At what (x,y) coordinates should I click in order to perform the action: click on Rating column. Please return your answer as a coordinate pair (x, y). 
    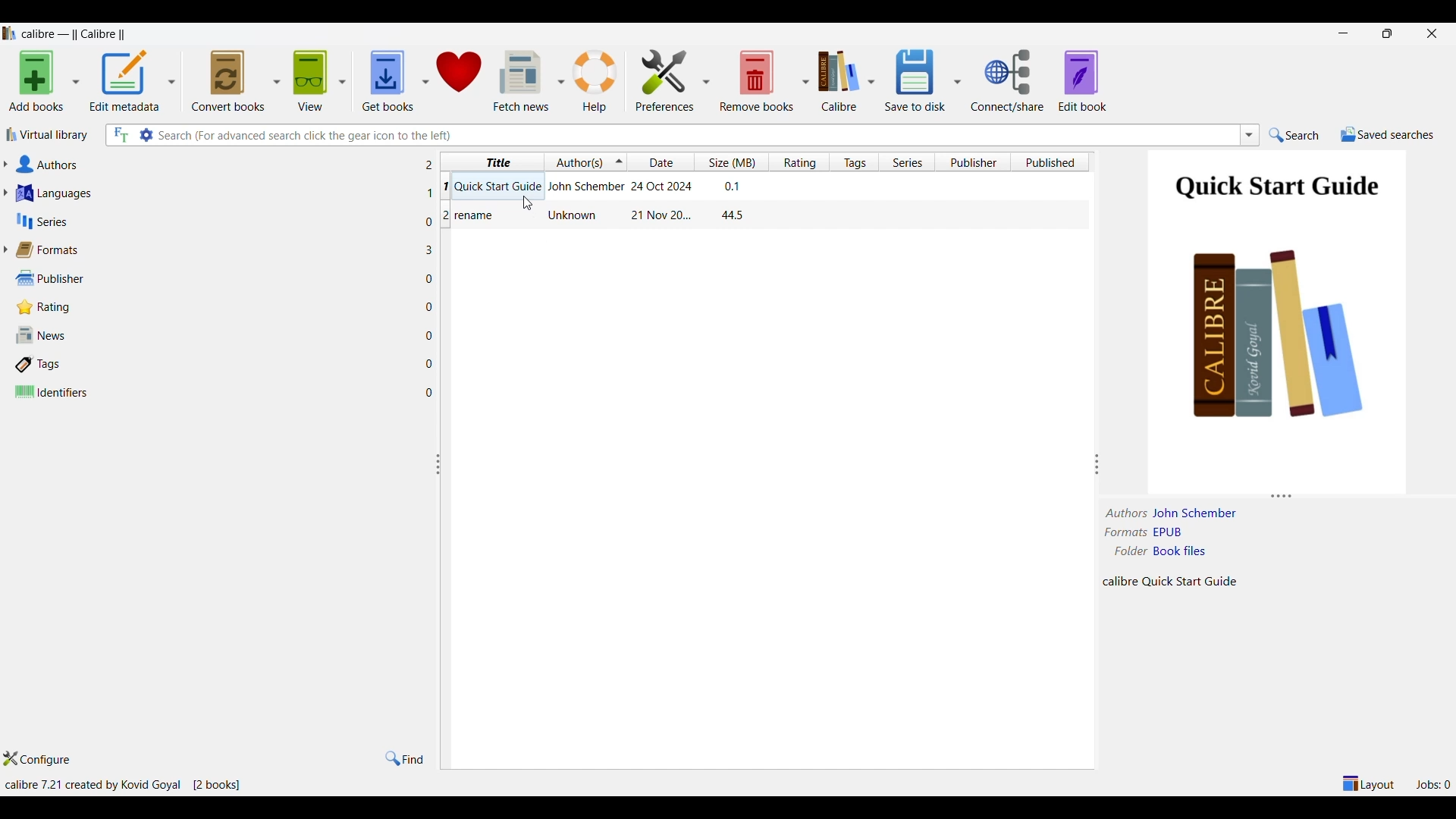
    Looking at the image, I should click on (799, 162).